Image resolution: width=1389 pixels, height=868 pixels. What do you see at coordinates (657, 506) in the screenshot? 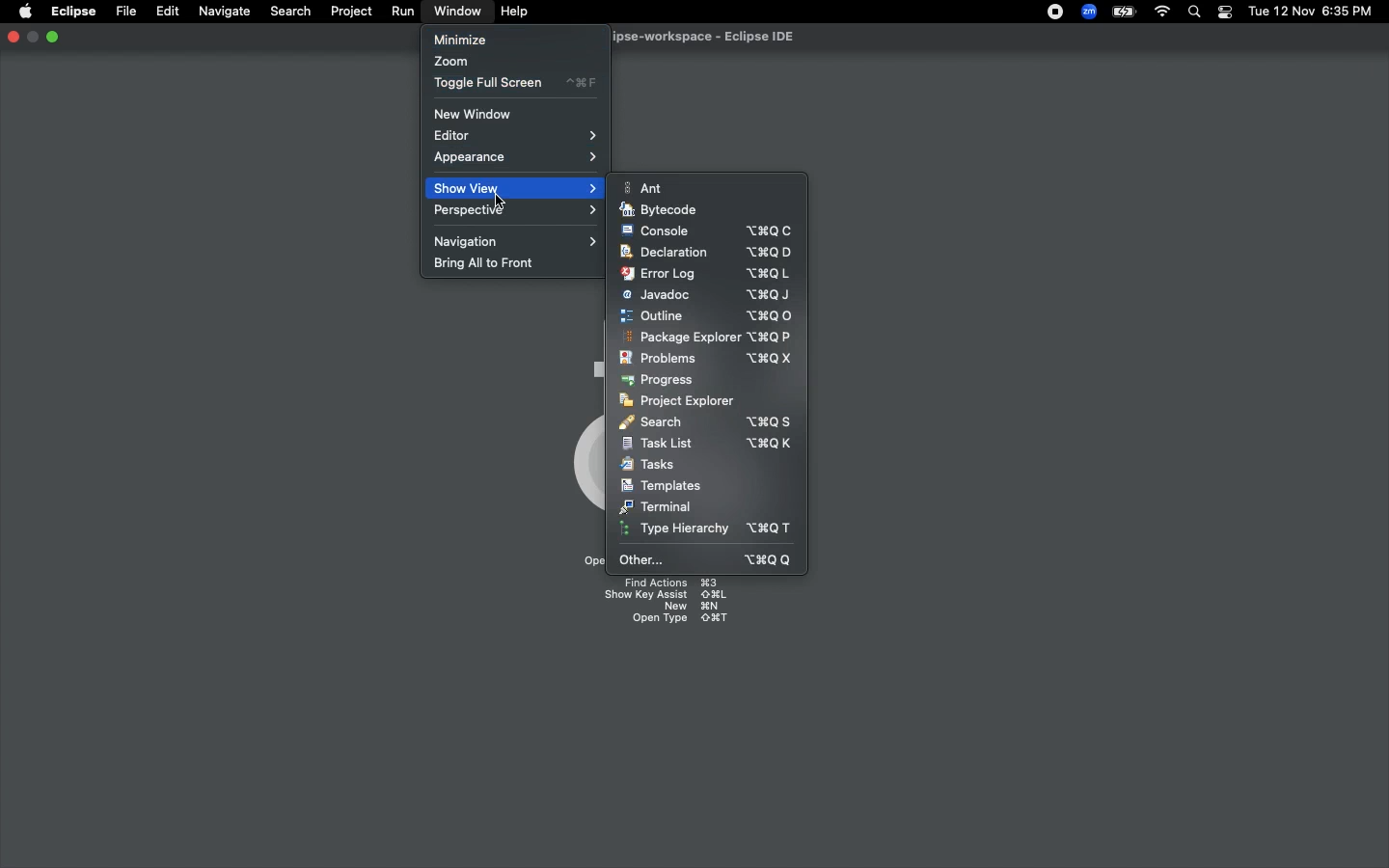
I see `Terminal` at bounding box center [657, 506].